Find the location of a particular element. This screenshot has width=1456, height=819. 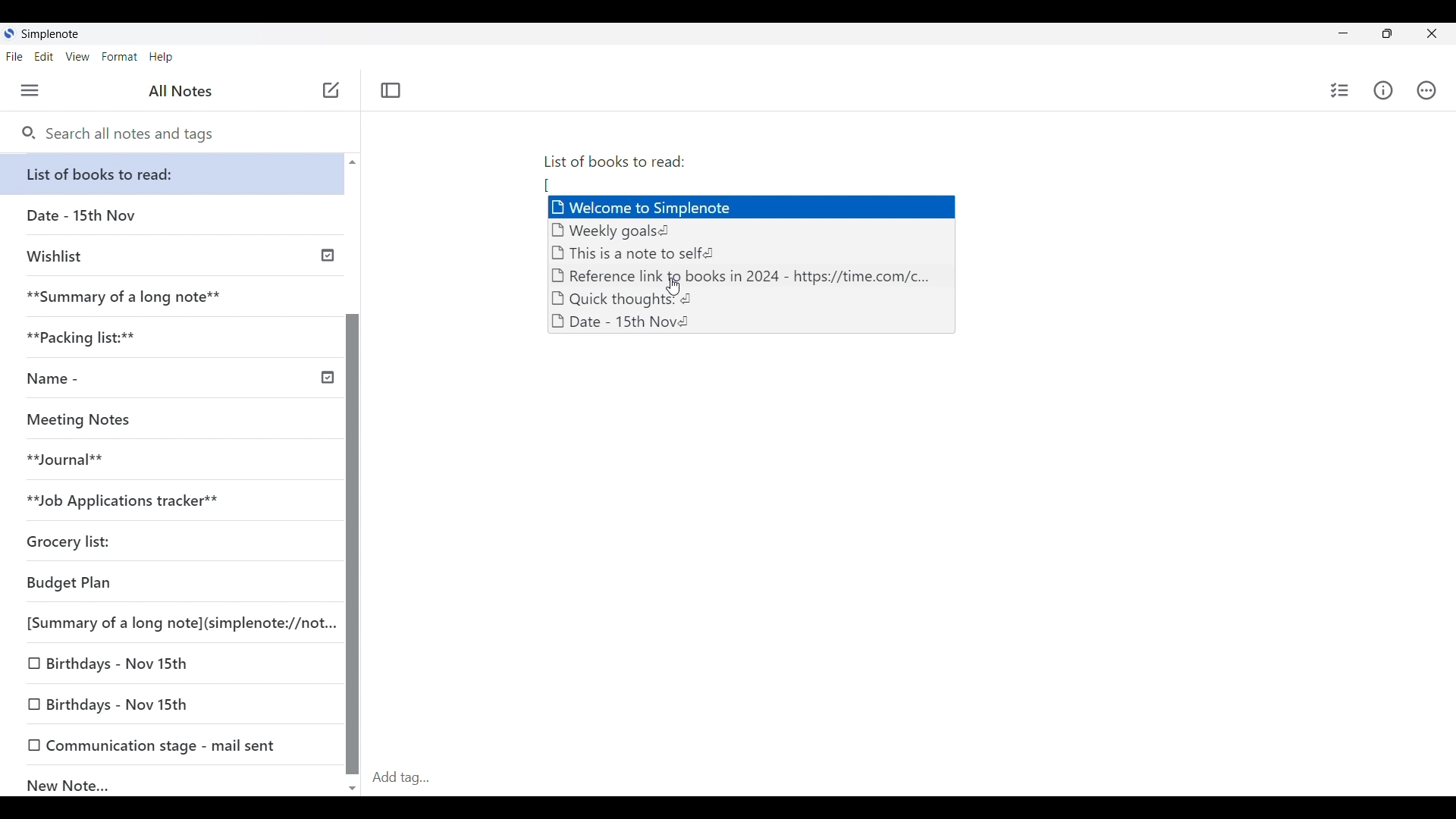

Format is located at coordinates (120, 57).